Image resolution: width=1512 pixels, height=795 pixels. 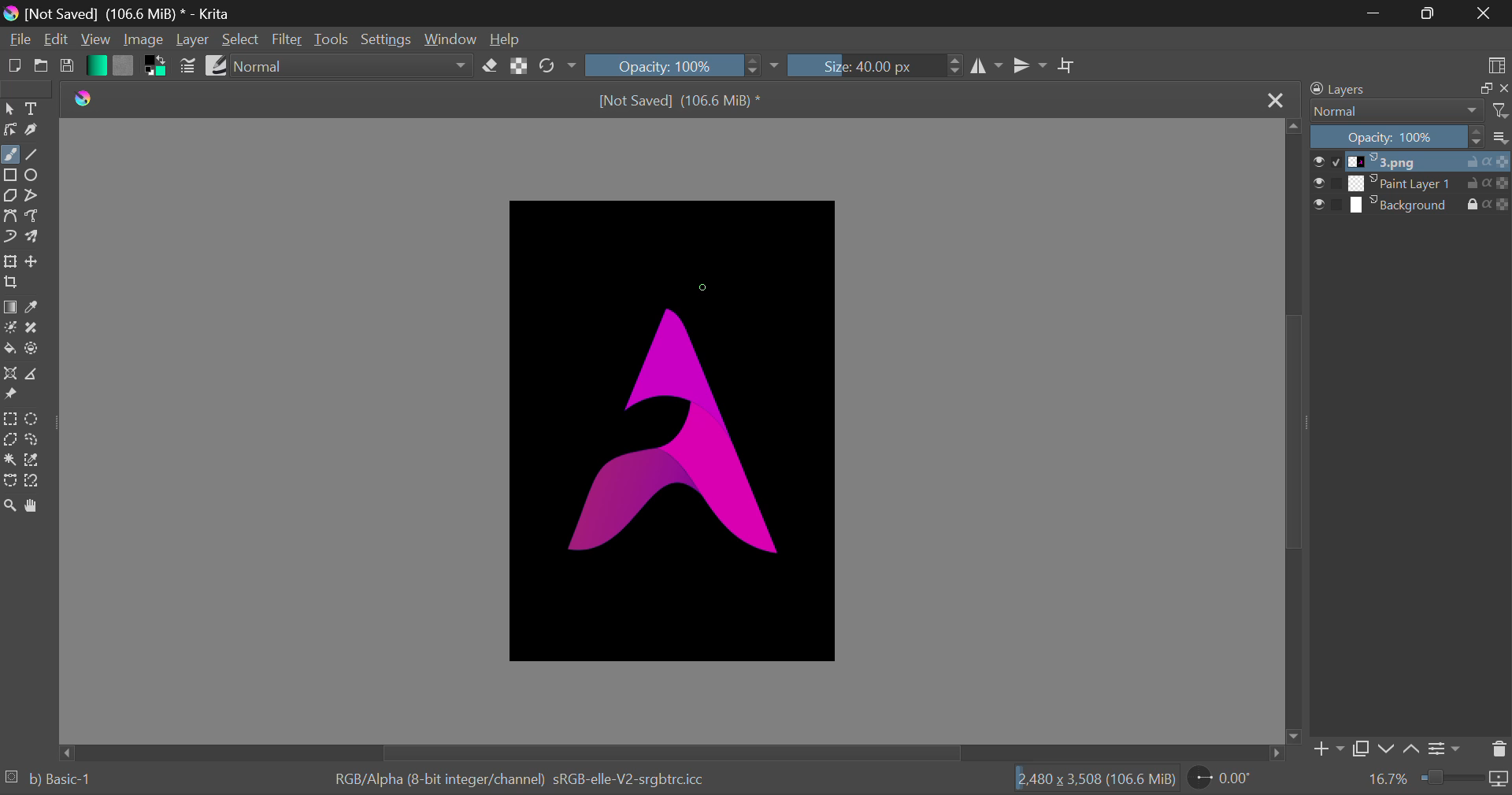 I want to click on Circular Selection, so click(x=34, y=417).